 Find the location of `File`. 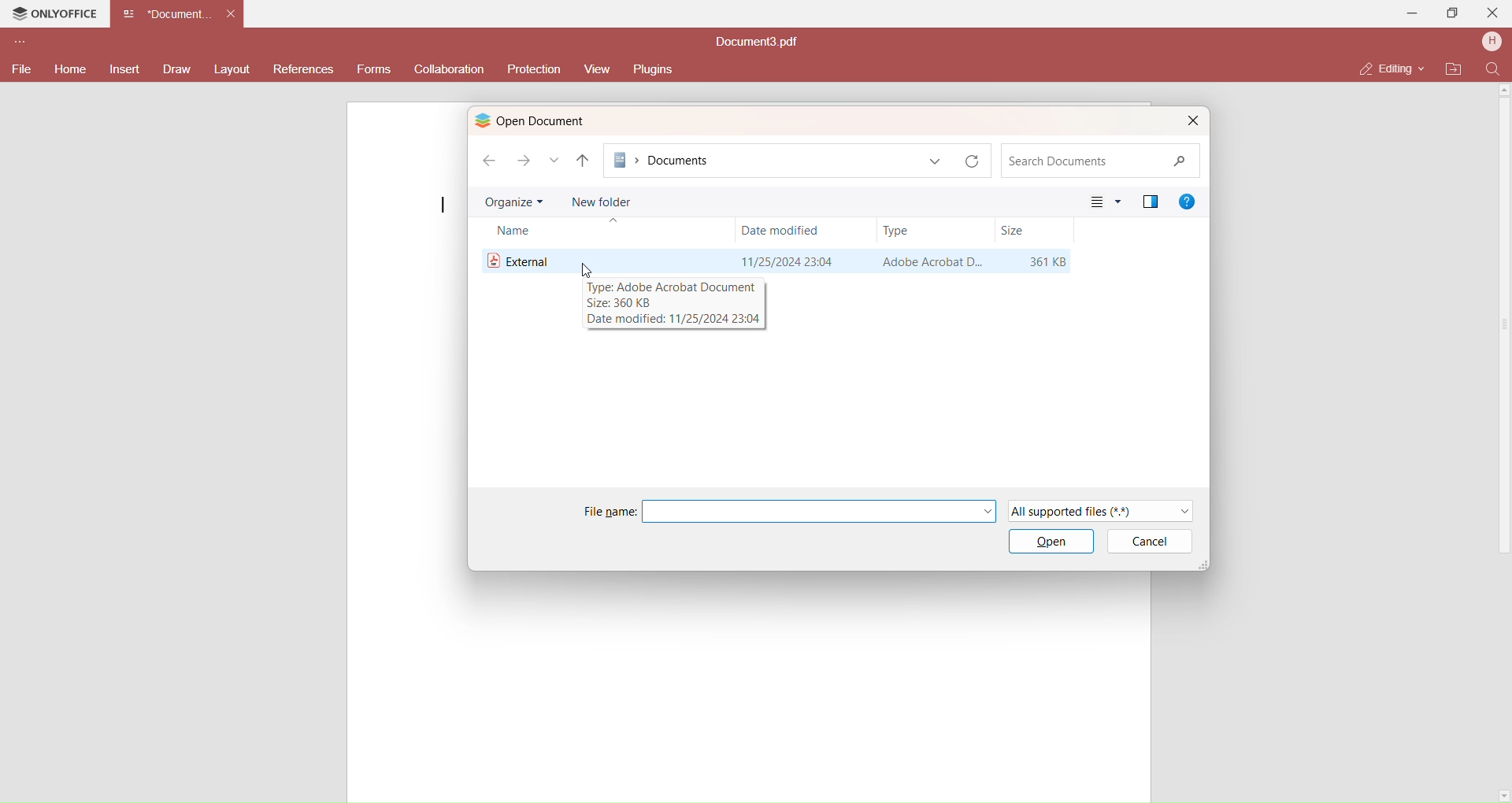

File is located at coordinates (20, 68).